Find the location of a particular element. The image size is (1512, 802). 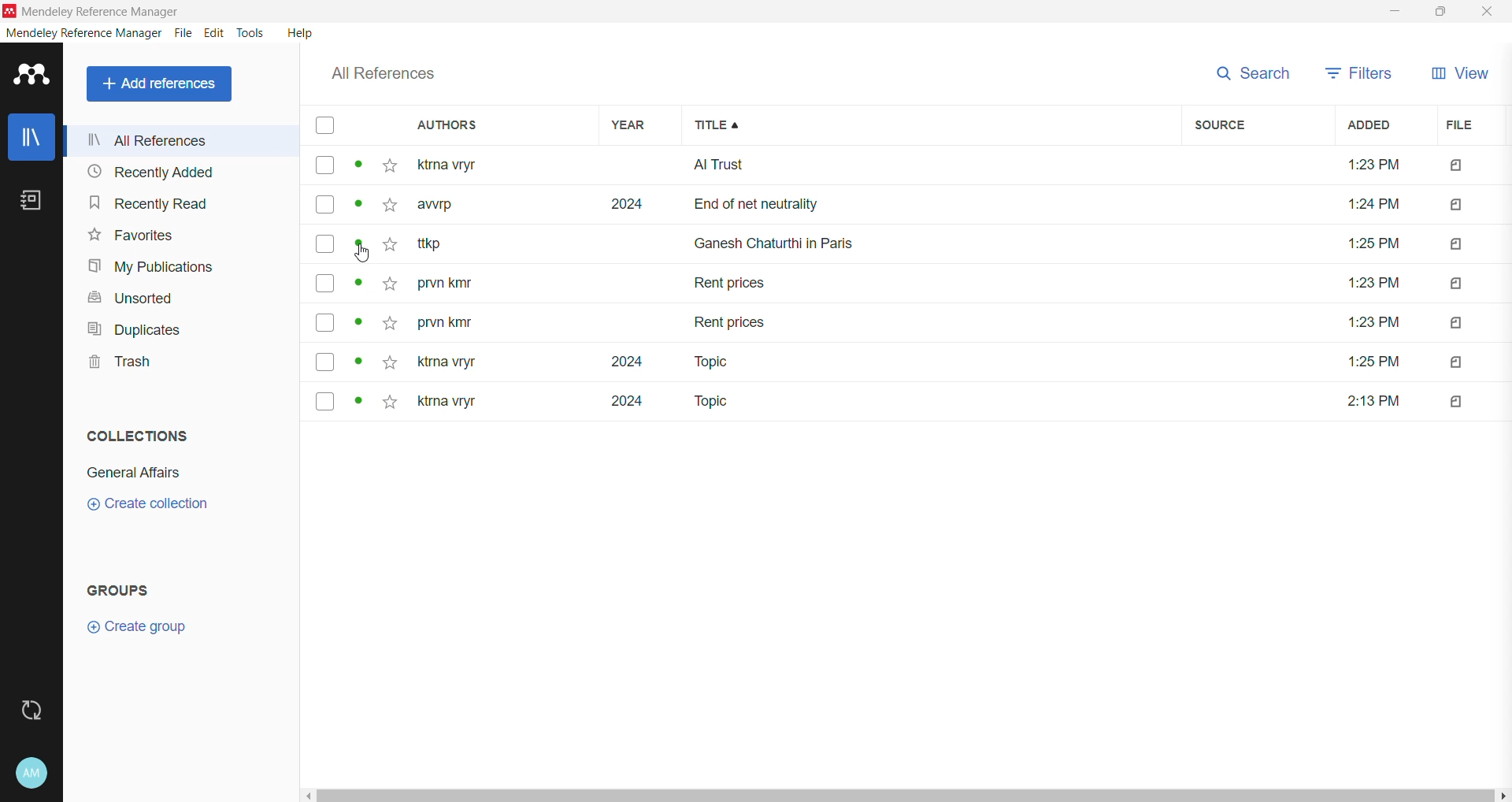

Create Group is located at coordinates (145, 628).